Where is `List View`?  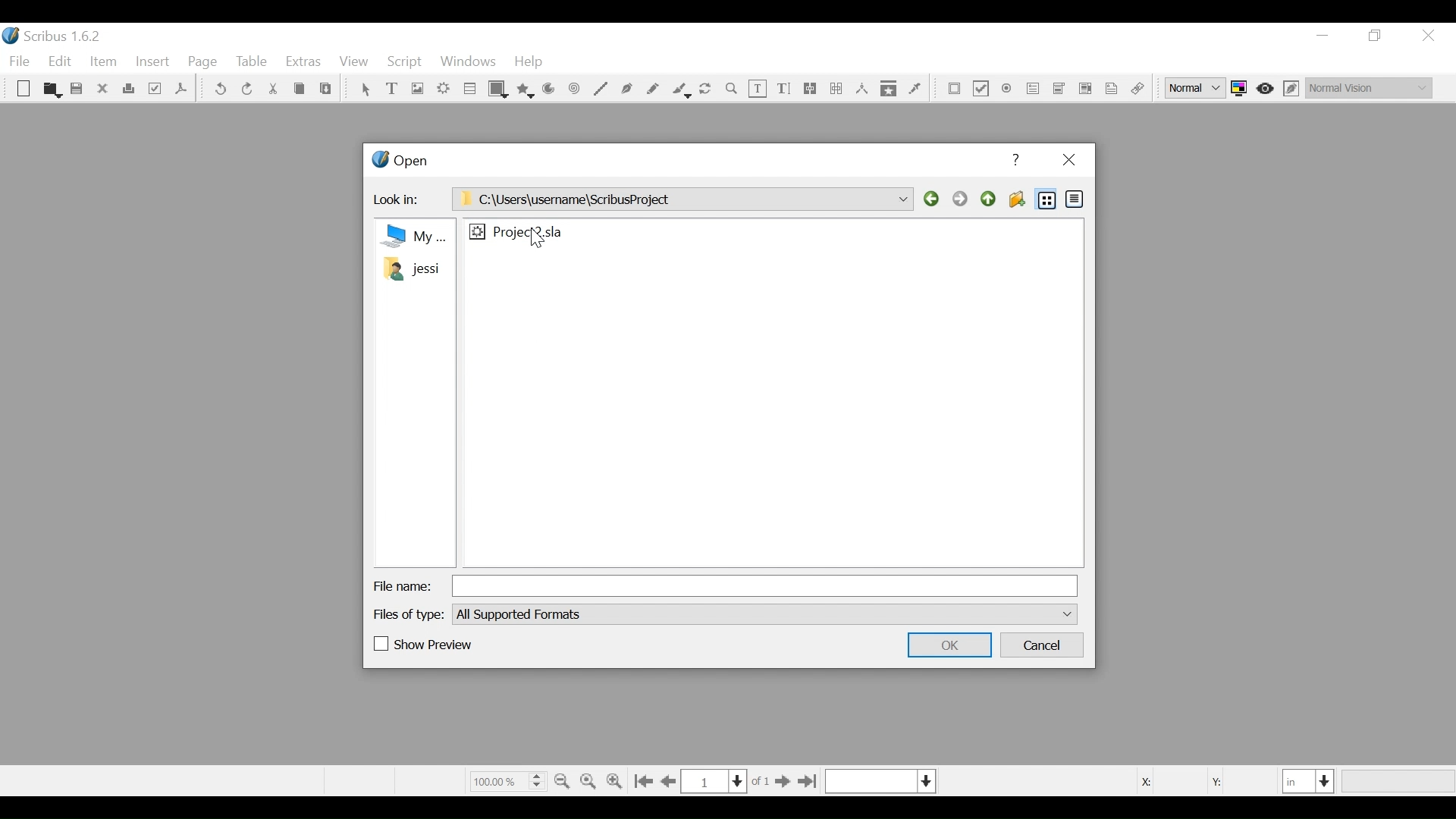
List View is located at coordinates (1047, 199).